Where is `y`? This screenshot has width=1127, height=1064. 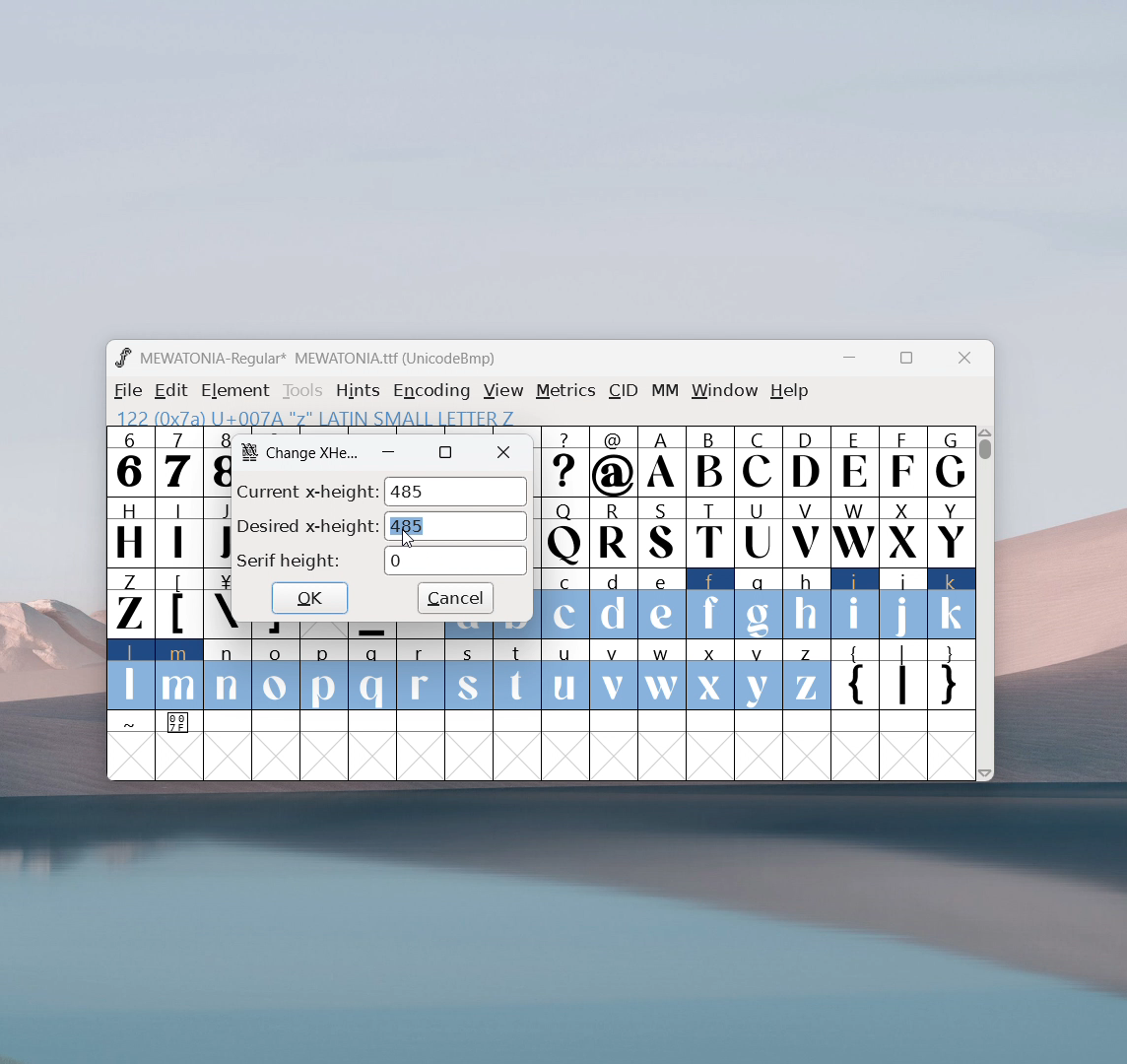 y is located at coordinates (760, 676).